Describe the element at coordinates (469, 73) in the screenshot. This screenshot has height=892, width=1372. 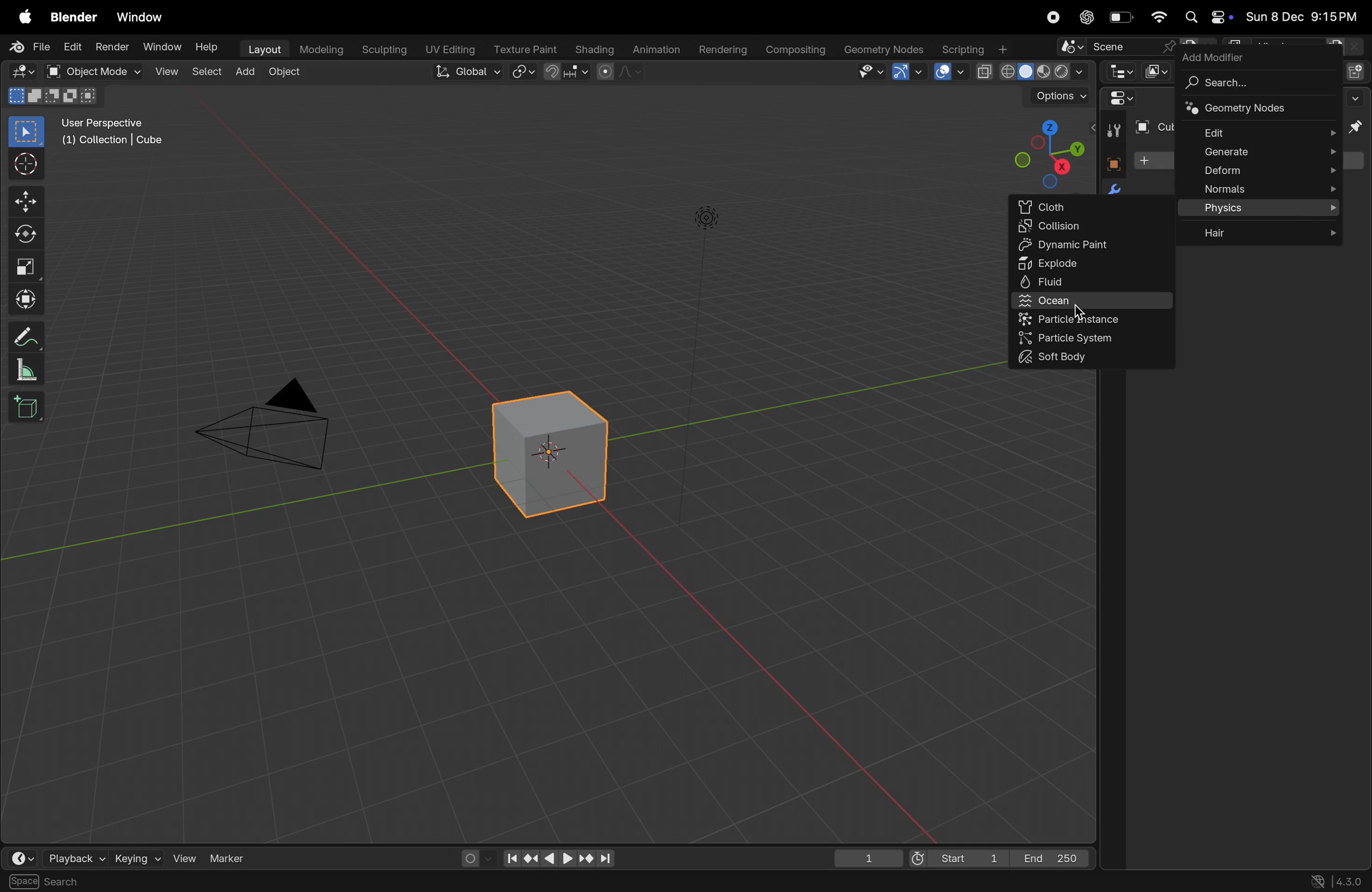
I see `global` at that location.